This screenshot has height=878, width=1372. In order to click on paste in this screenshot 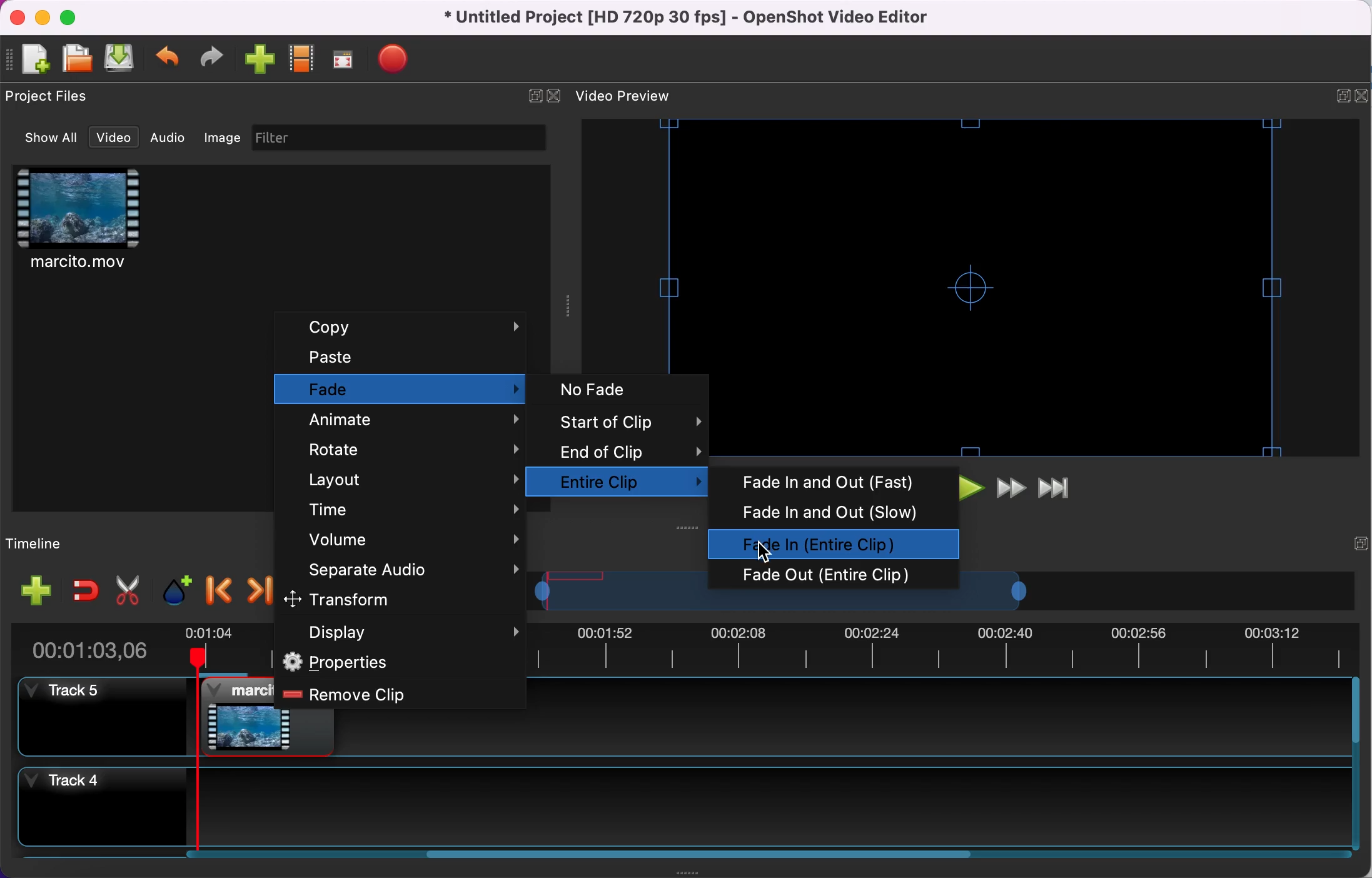, I will do `click(406, 356)`.